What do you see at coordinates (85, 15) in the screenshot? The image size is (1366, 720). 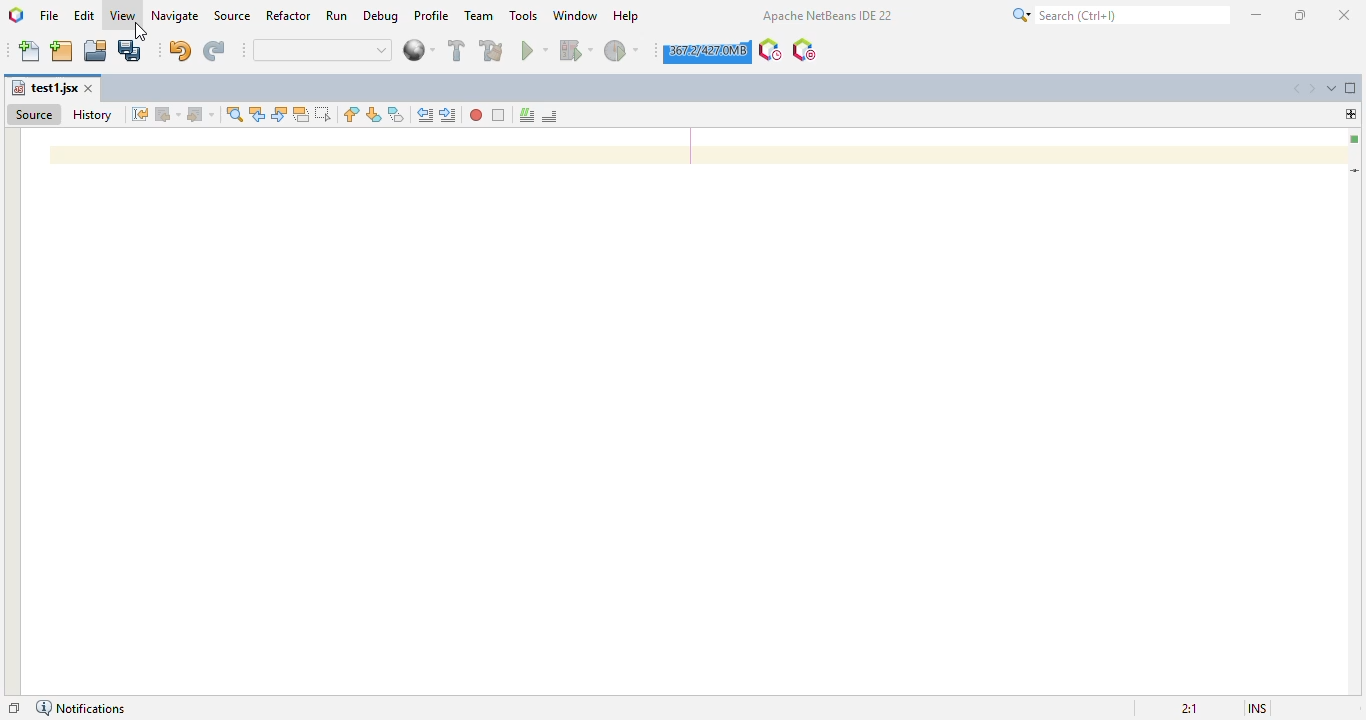 I see `edit` at bounding box center [85, 15].